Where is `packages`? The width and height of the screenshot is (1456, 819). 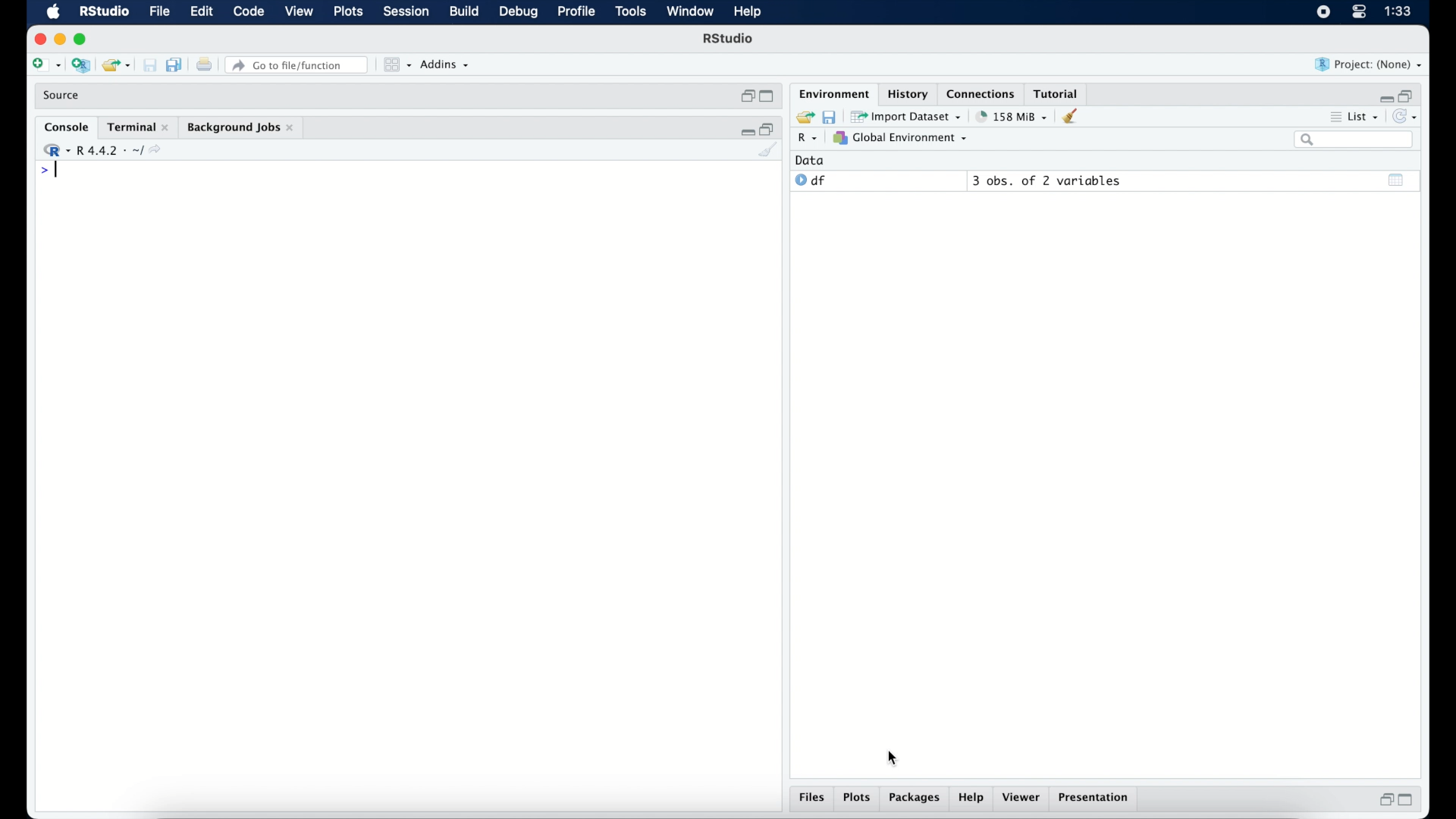 packages is located at coordinates (914, 799).